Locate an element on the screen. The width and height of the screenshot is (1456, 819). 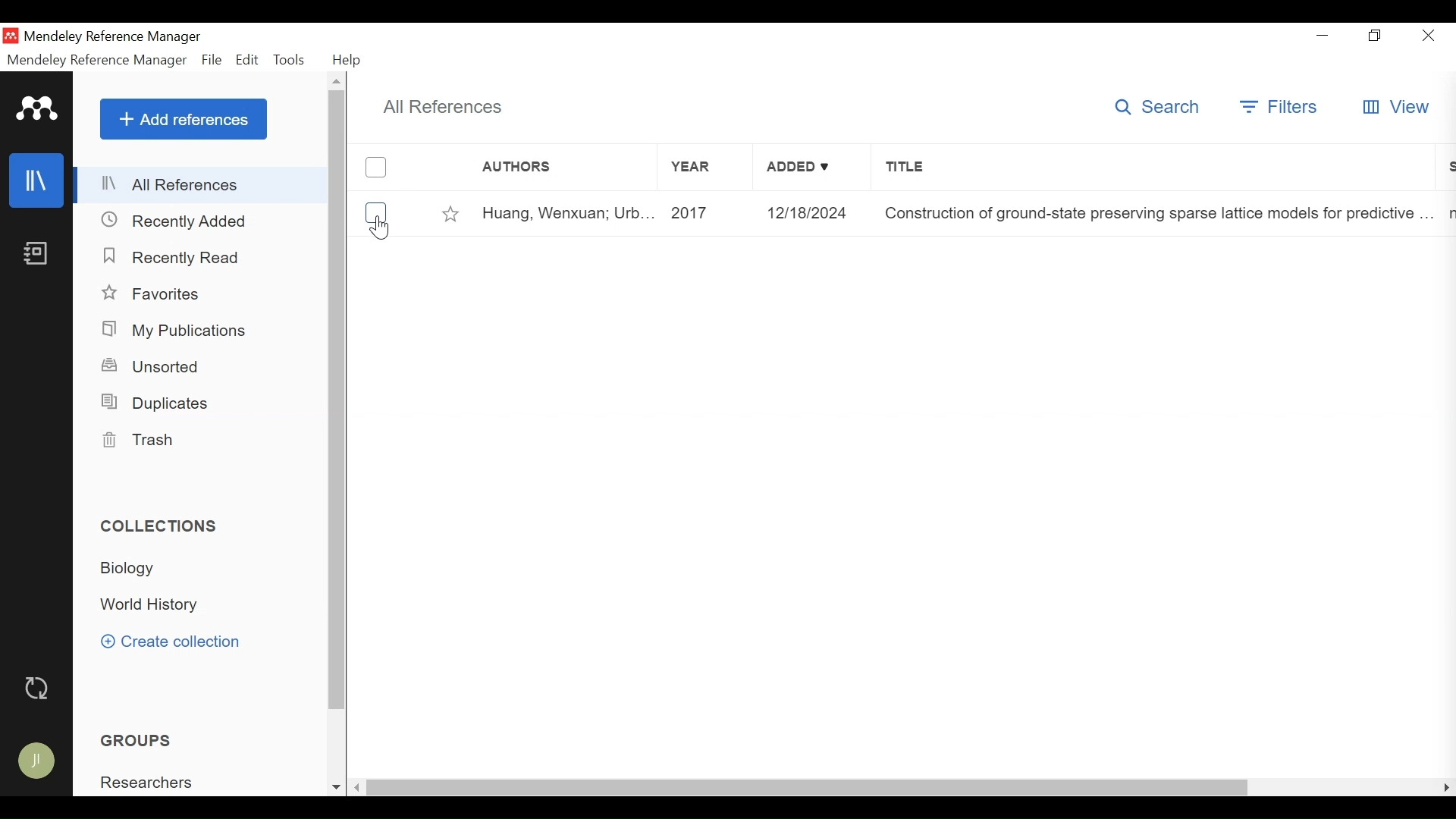
Notebook is located at coordinates (38, 255).